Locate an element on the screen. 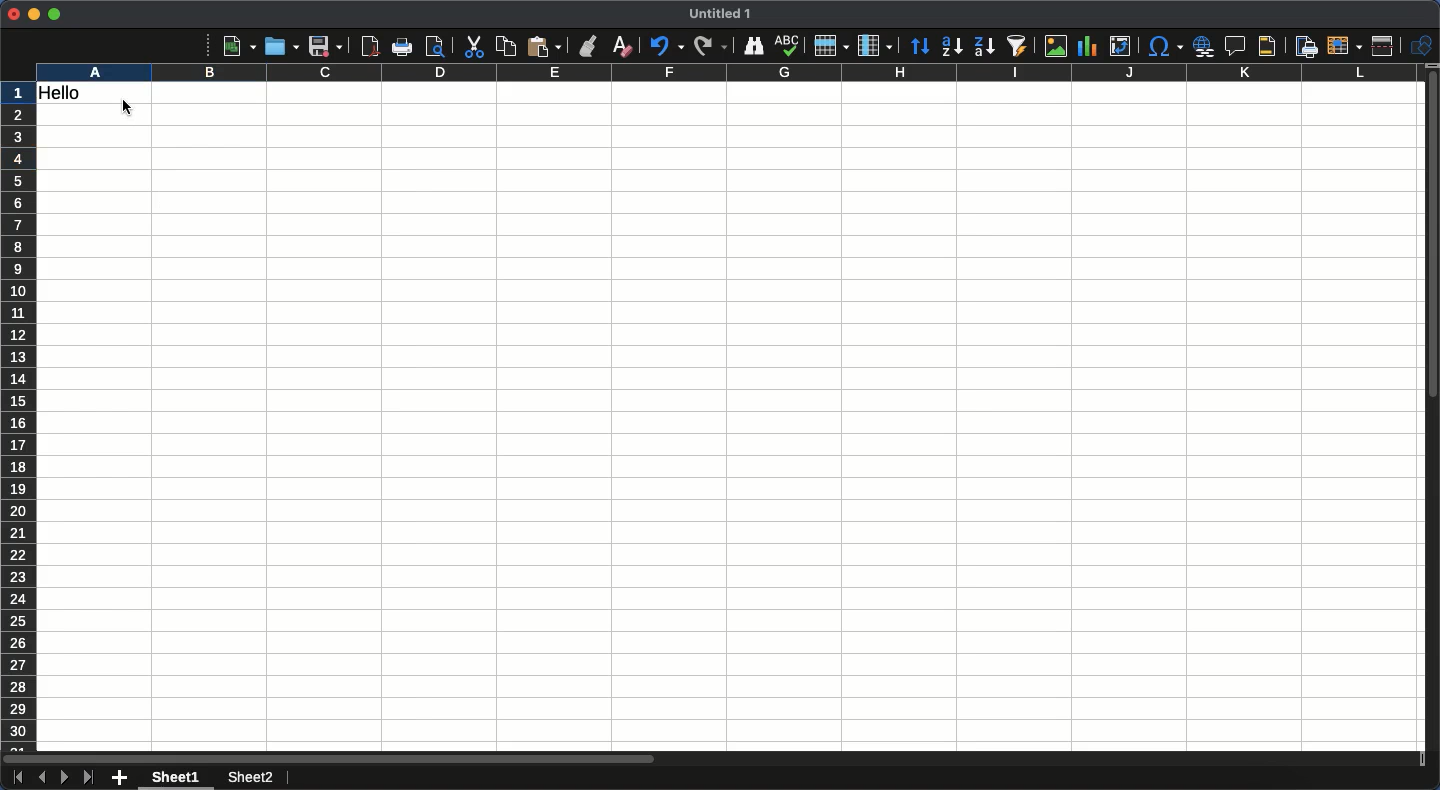 The width and height of the screenshot is (1440, 790). Insert comment is located at coordinates (1238, 47).